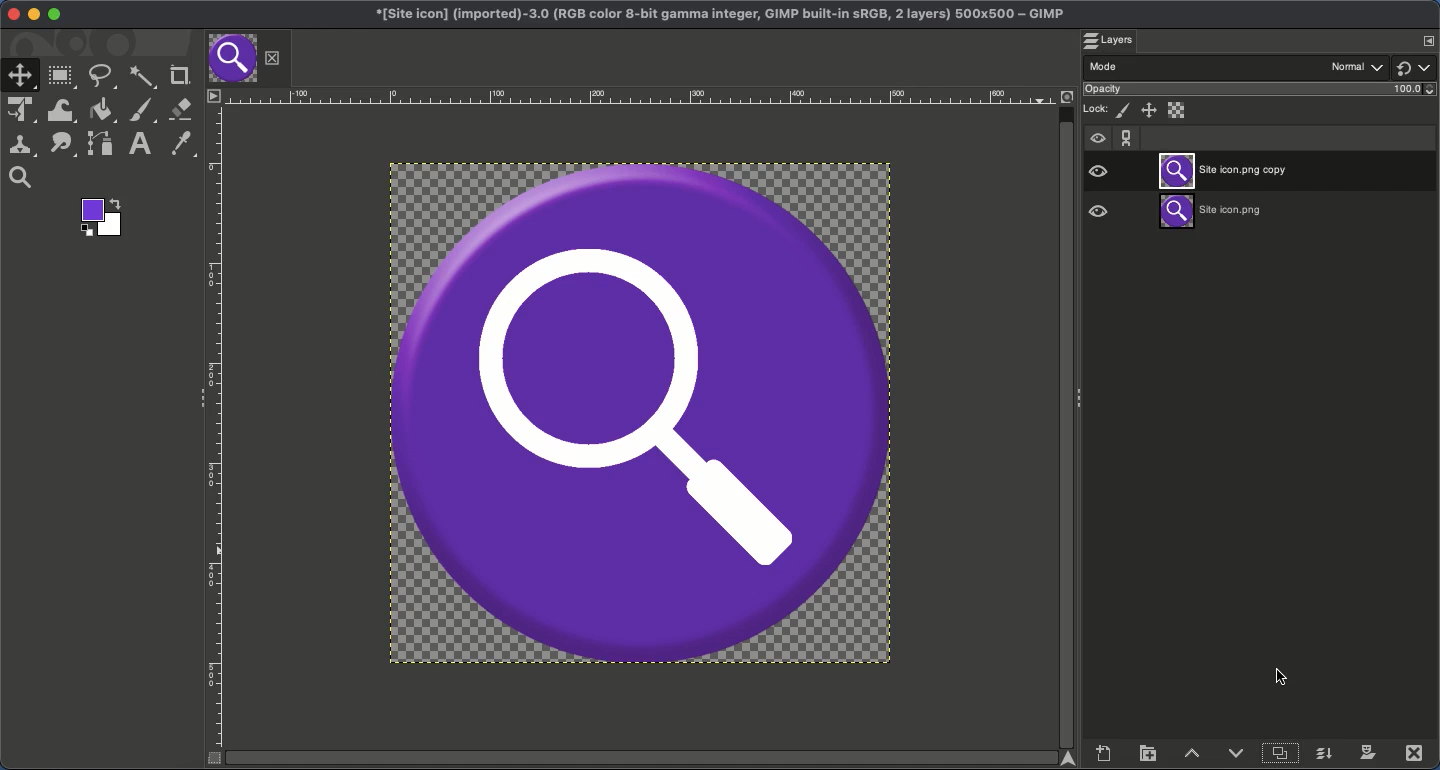 The image size is (1440, 770). Describe the element at coordinates (1104, 751) in the screenshot. I see `Create a new layer` at that location.